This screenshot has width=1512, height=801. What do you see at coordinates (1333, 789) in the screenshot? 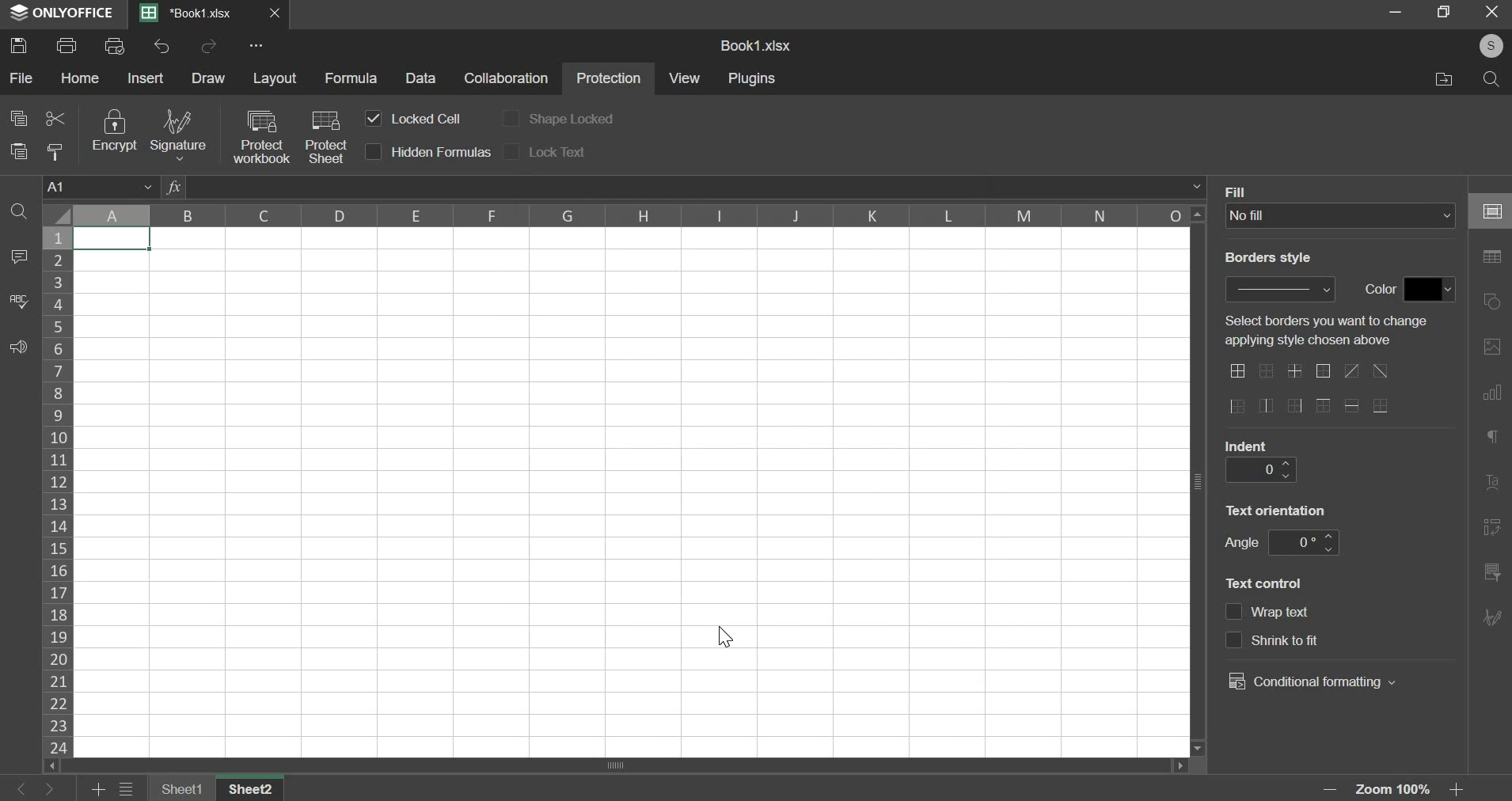
I see `zoom out` at bounding box center [1333, 789].